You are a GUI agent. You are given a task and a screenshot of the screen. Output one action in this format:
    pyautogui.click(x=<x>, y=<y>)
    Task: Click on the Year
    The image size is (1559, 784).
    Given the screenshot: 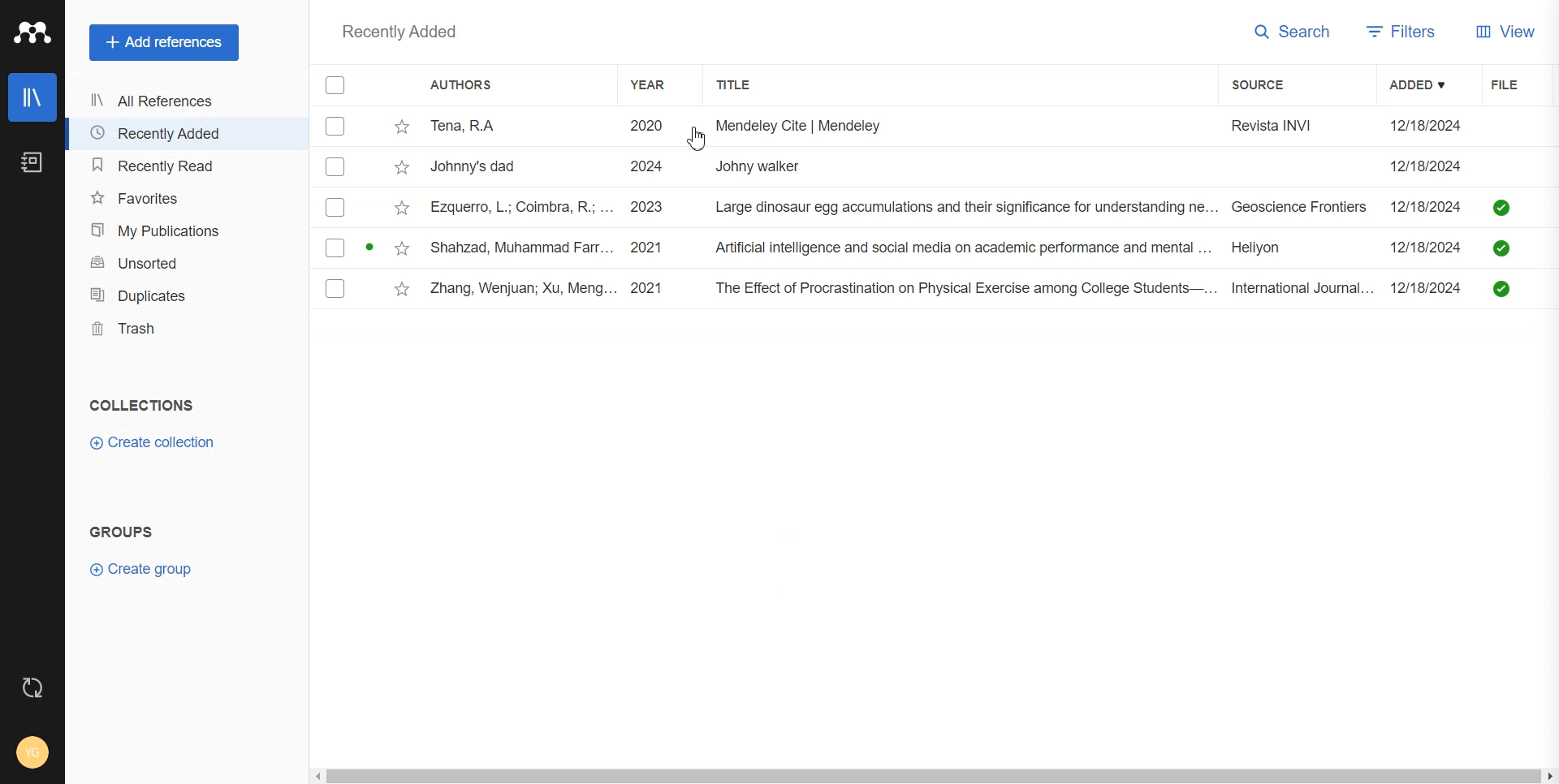 What is the action you would take?
    pyautogui.click(x=661, y=85)
    